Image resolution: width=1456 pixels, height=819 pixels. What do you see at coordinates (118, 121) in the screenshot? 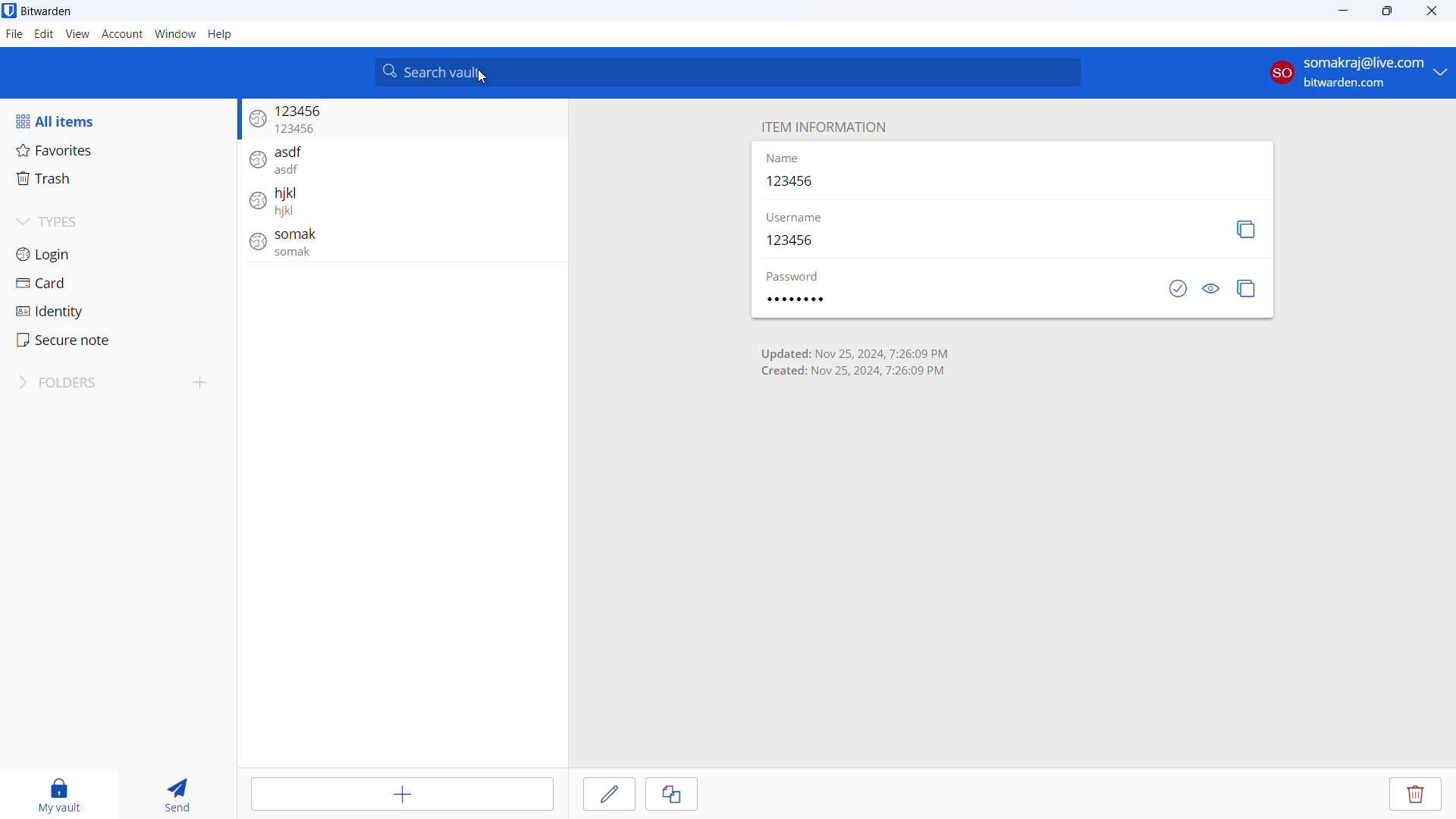
I see `all items` at bounding box center [118, 121].